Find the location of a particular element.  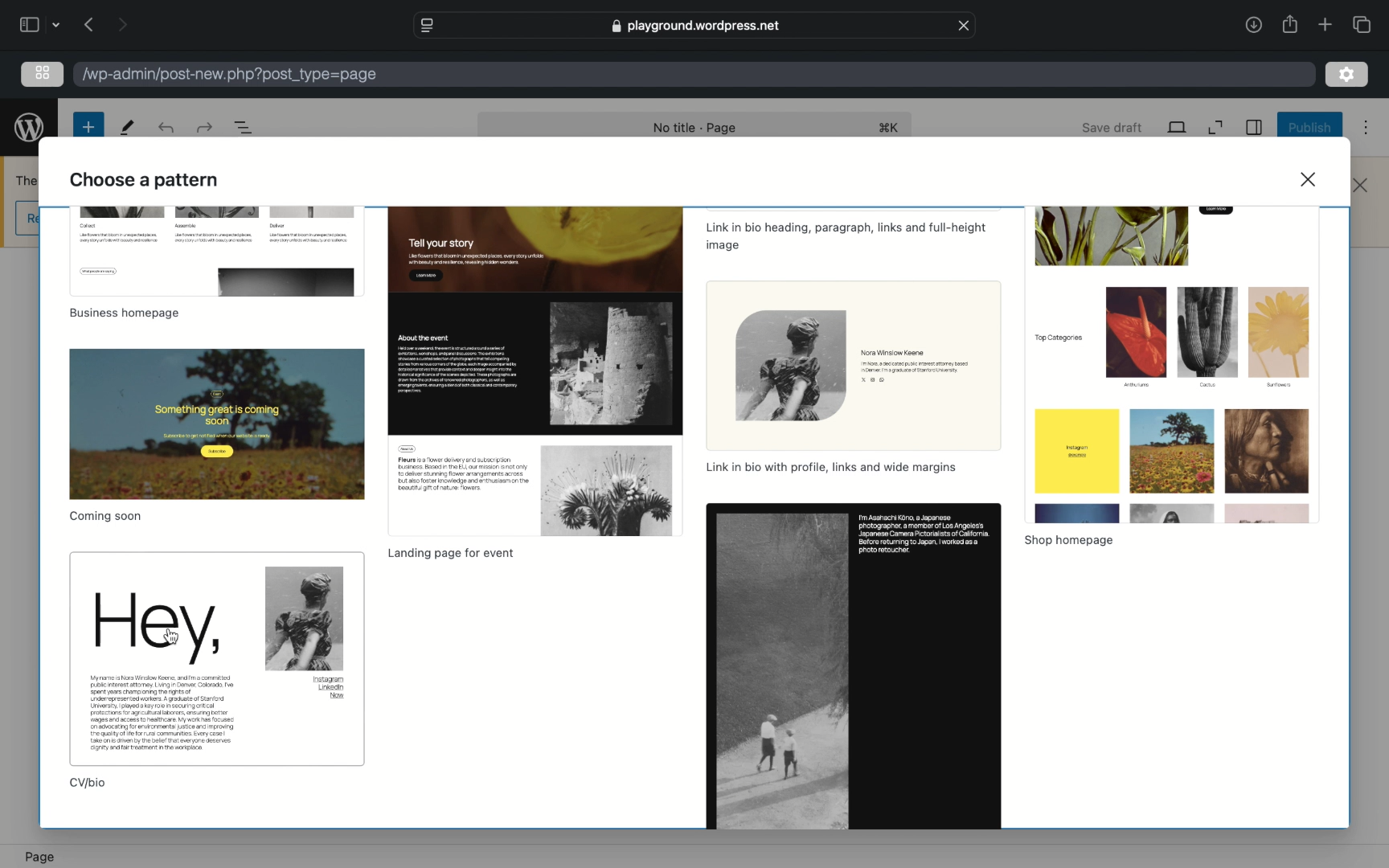

choose a pattern is located at coordinates (145, 179).